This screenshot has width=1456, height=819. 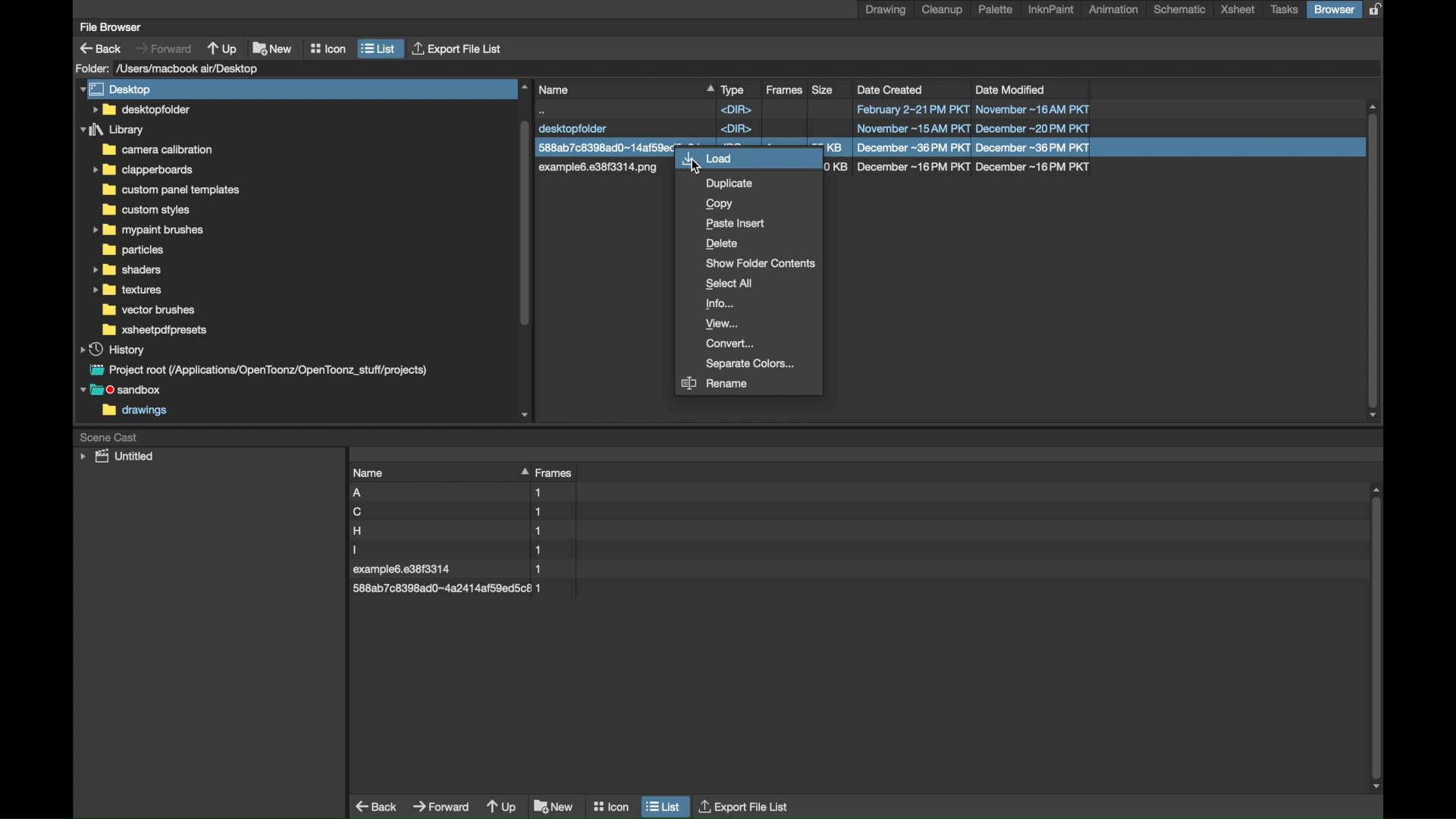 I want to click on delete, so click(x=723, y=244).